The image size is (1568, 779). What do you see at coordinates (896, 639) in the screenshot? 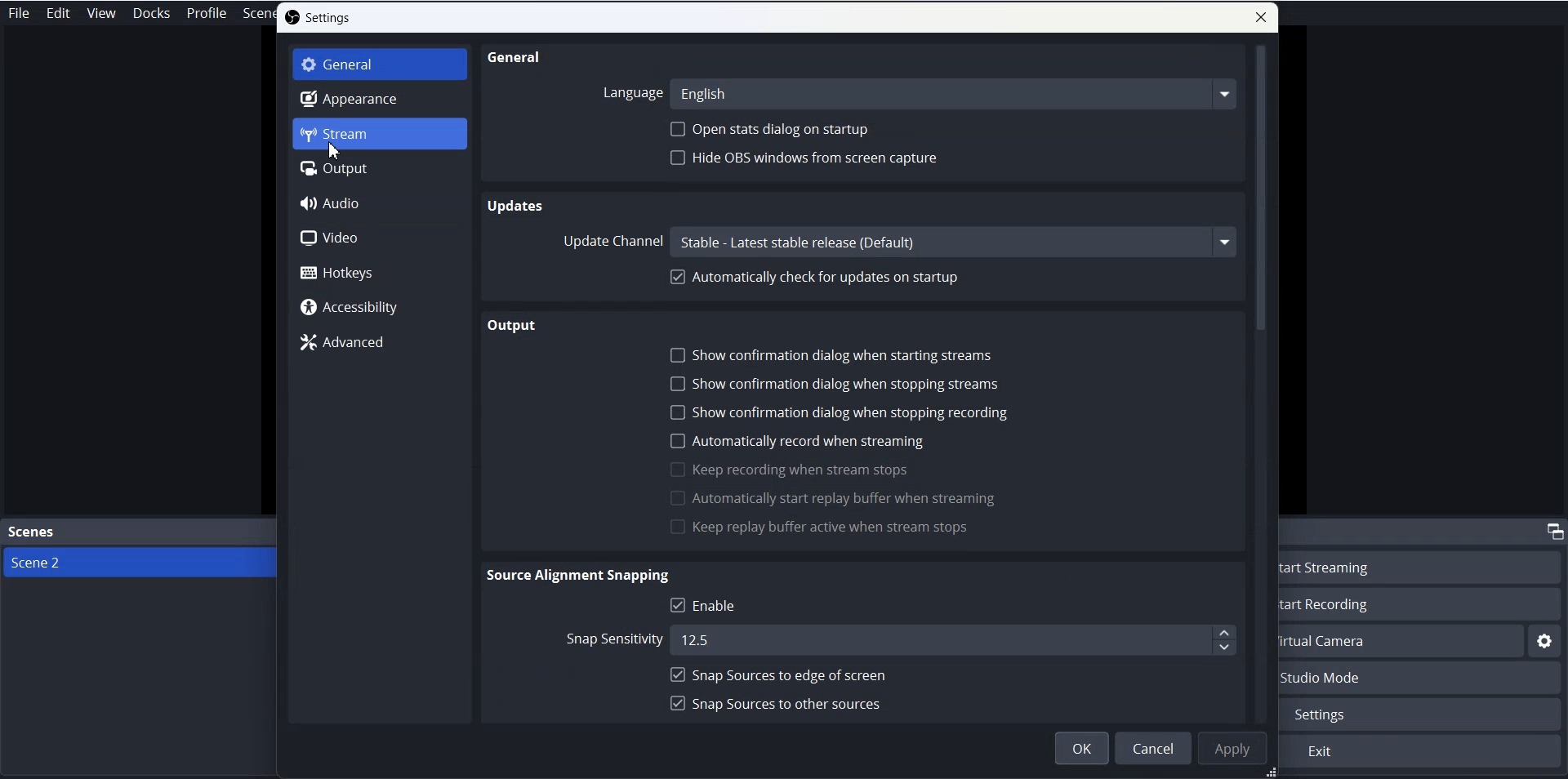
I see `Snap Sensitivity 12.5` at bounding box center [896, 639].